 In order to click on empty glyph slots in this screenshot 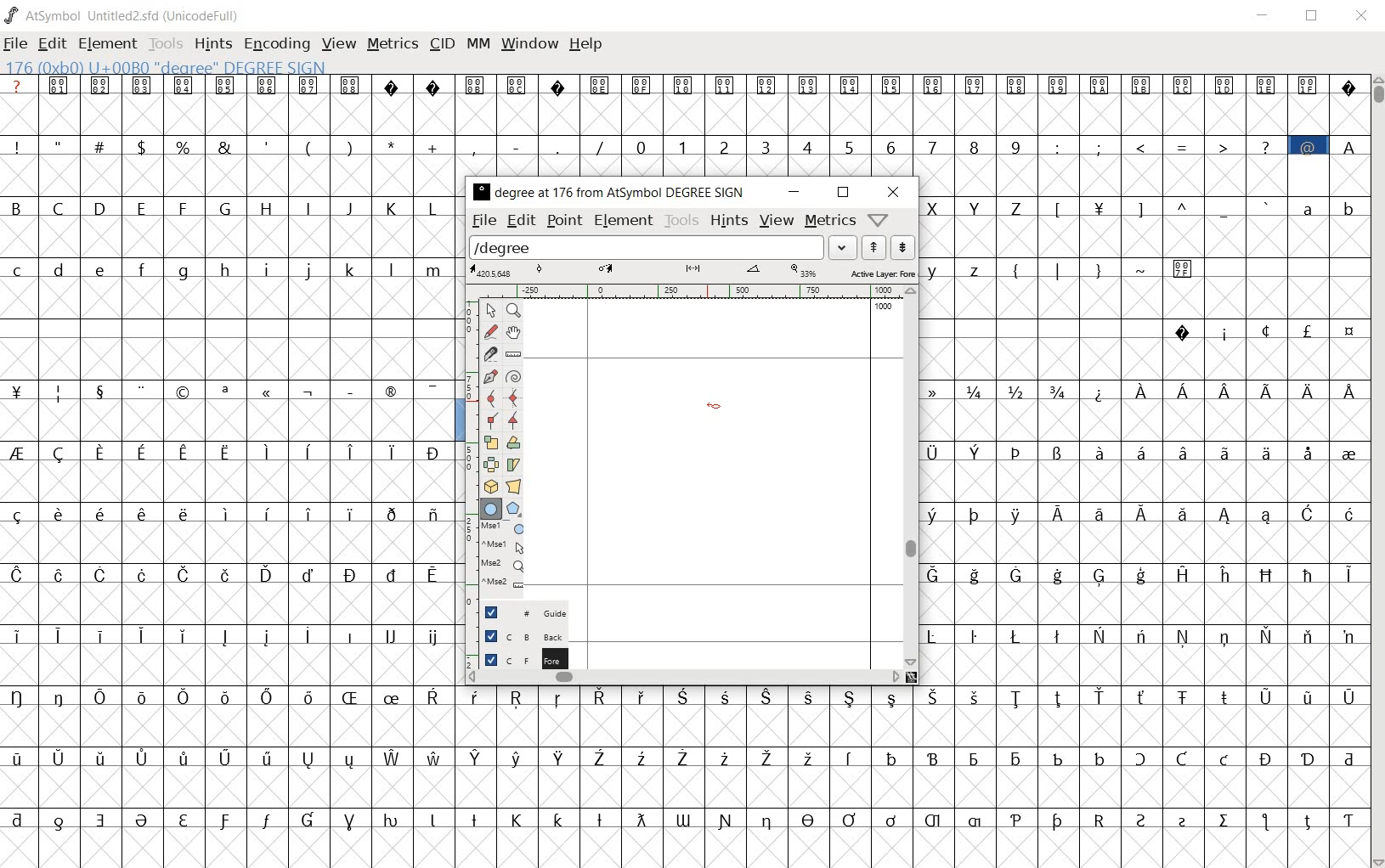, I will do `click(229, 178)`.